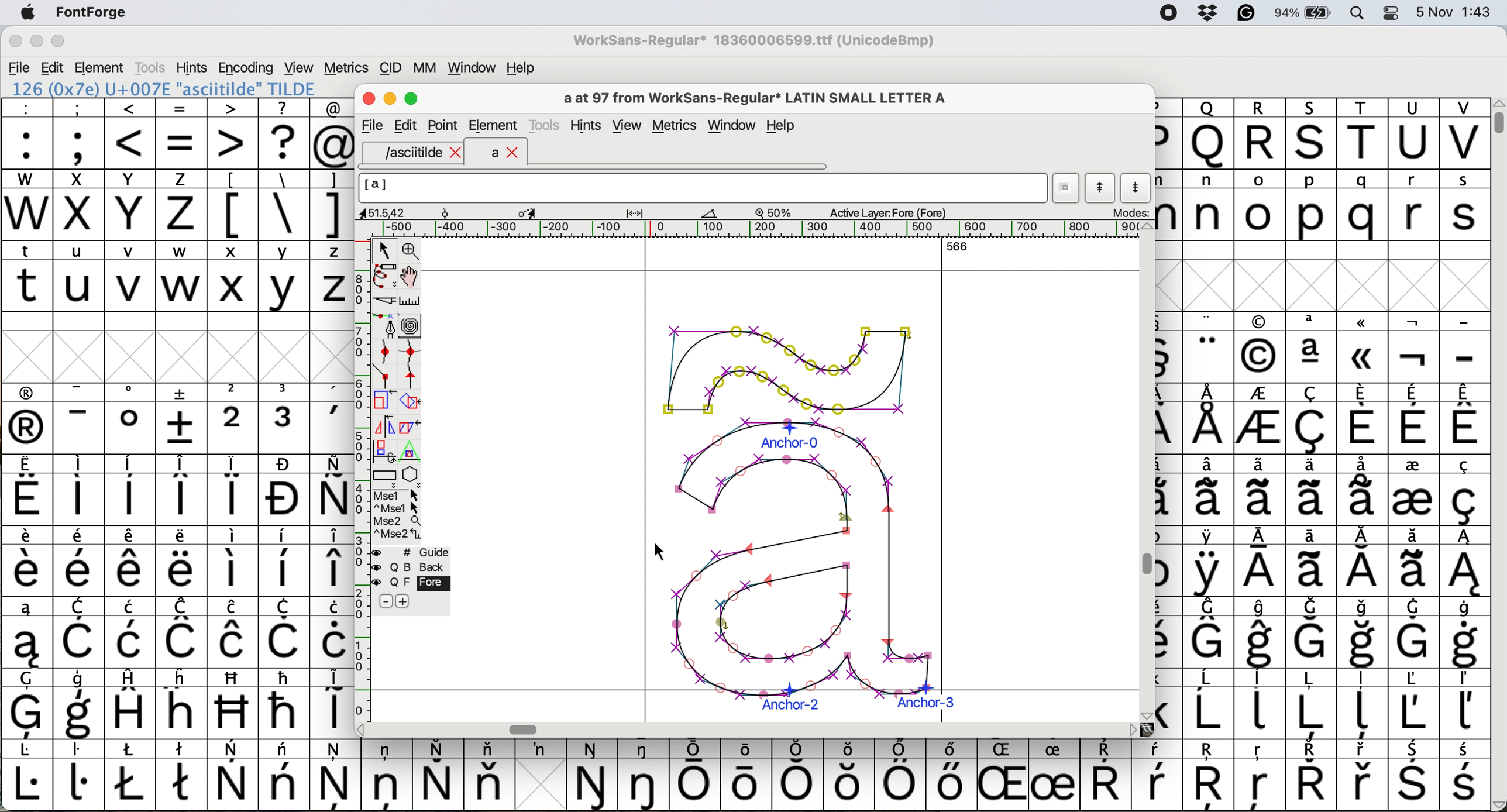 Image resolution: width=1507 pixels, height=812 pixels. I want to click on symbol, so click(1415, 349).